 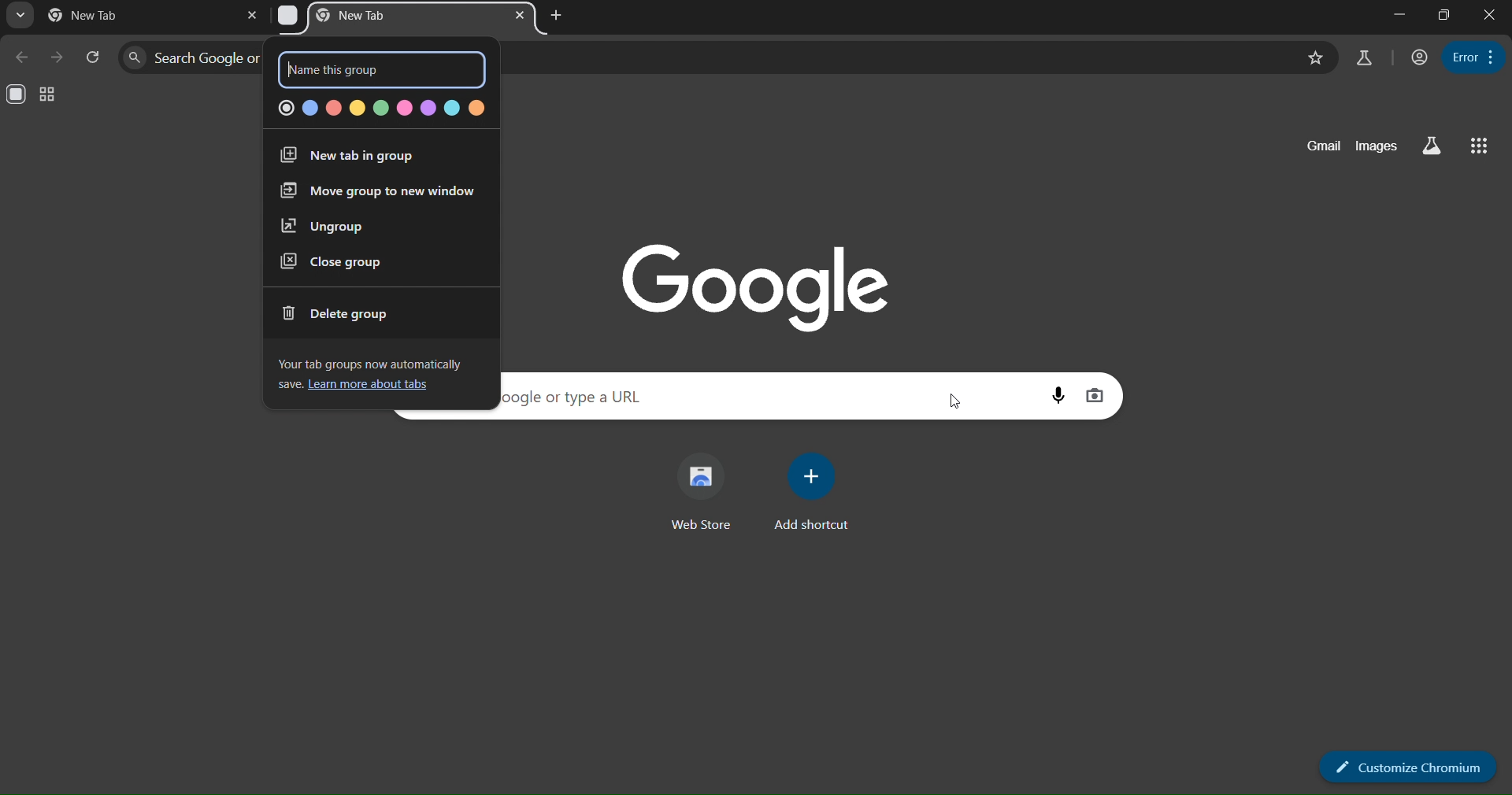 I want to click on go back one page, so click(x=22, y=58).